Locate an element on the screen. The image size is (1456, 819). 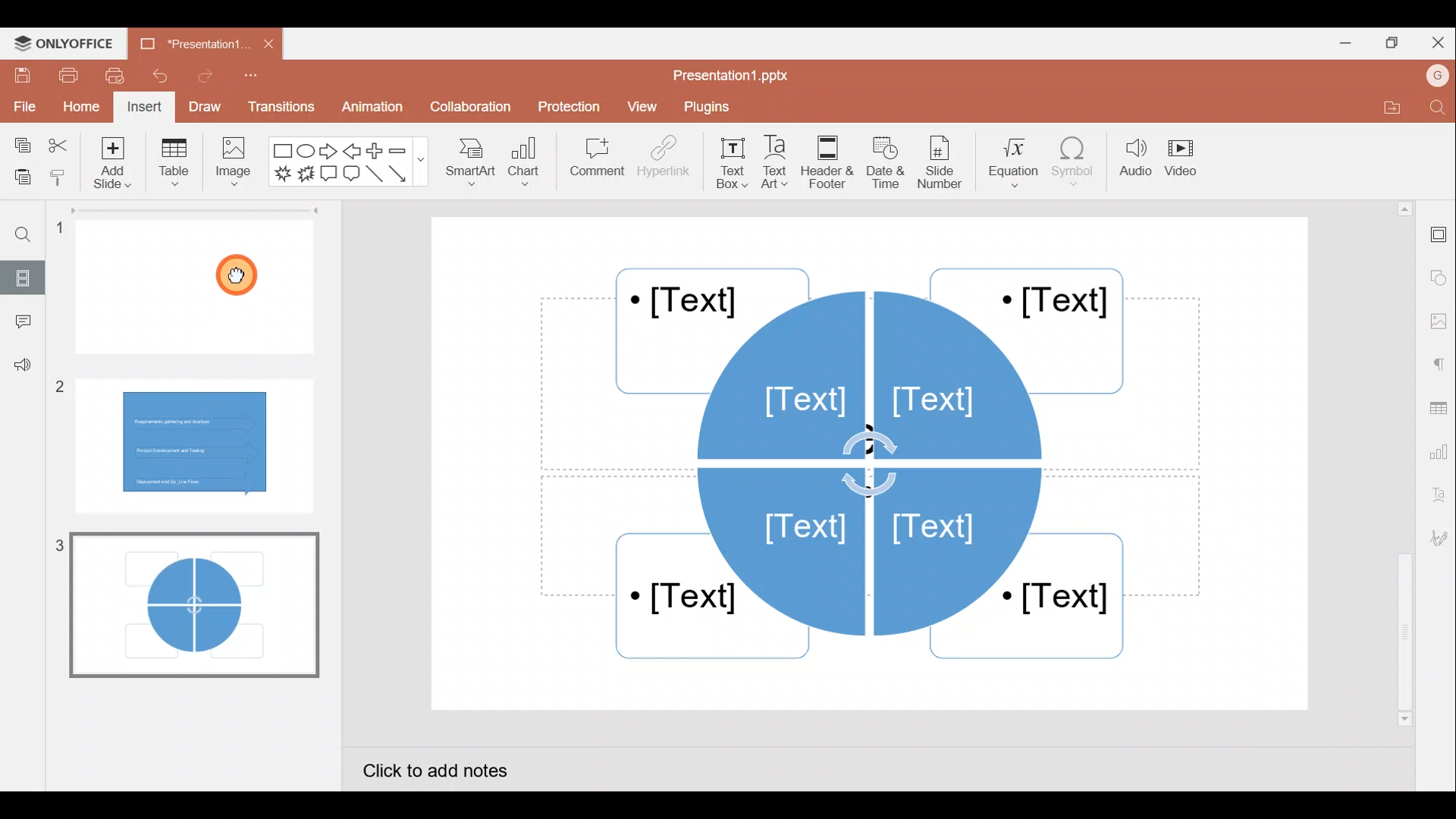
Symbol is located at coordinates (1074, 165).